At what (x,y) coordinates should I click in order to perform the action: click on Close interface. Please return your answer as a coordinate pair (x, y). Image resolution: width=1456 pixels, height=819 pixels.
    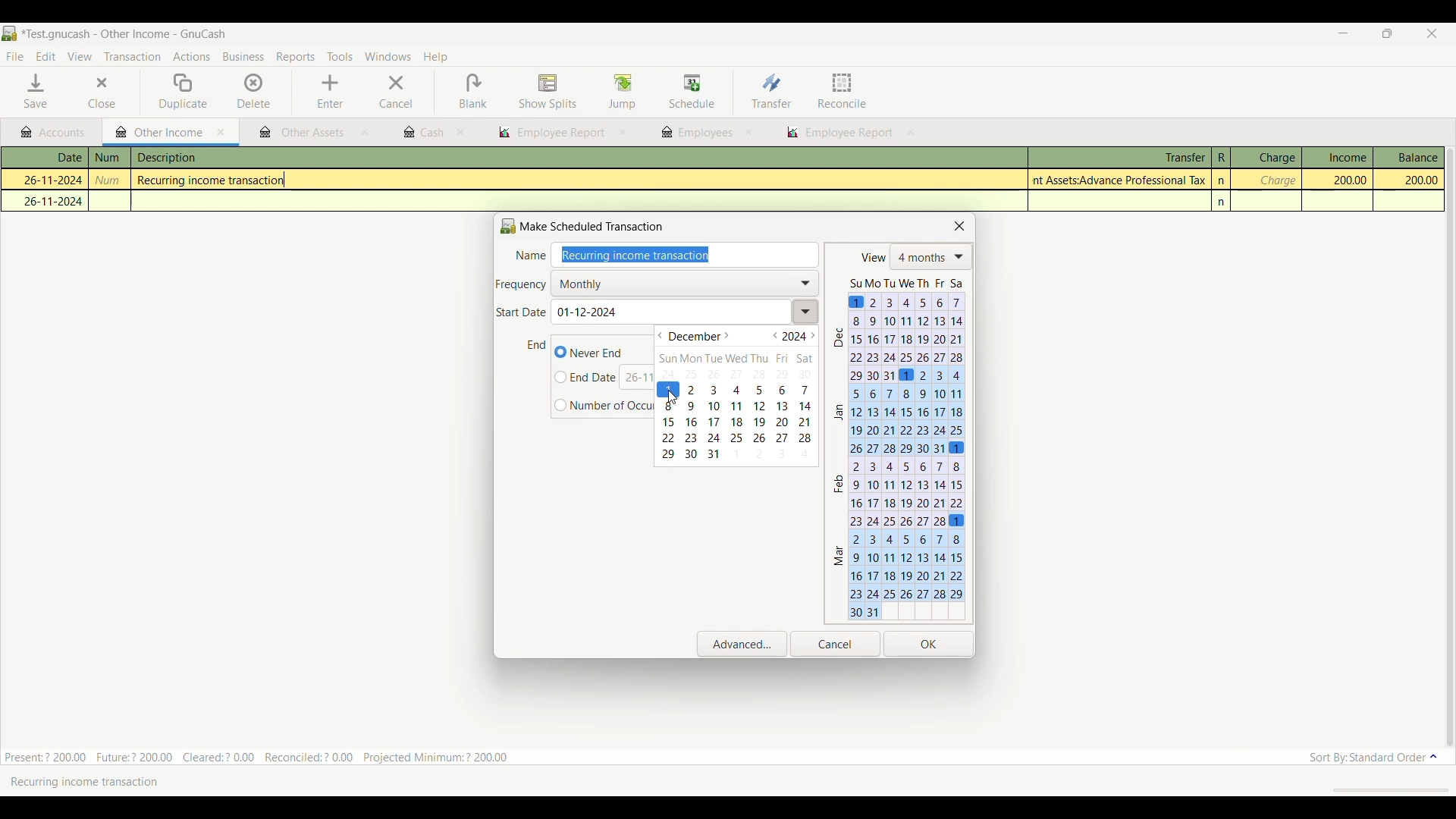
    Looking at the image, I should click on (1429, 35).